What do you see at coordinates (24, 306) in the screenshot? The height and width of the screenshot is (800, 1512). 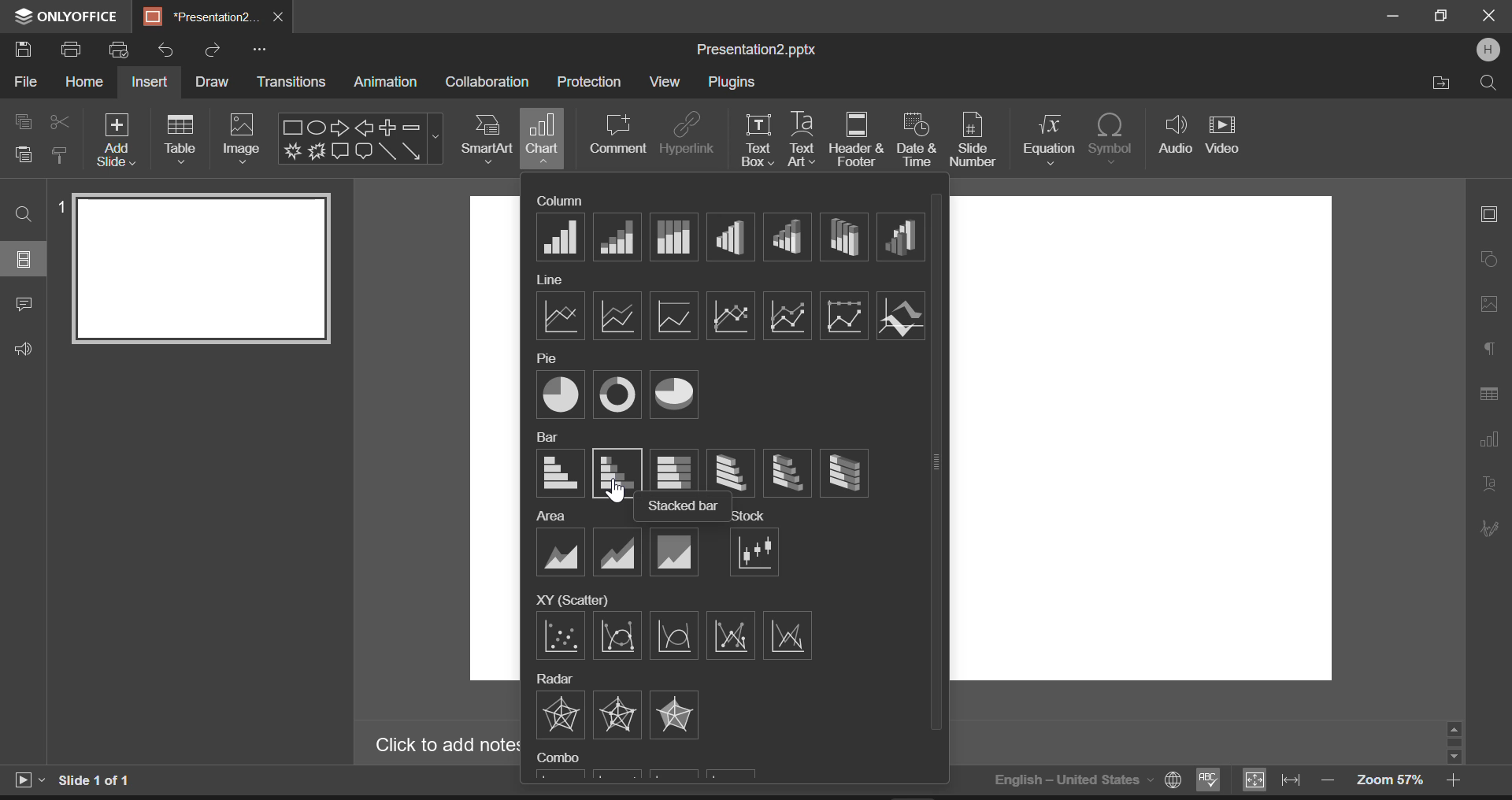 I see `Comments` at bounding box center [24, 306].